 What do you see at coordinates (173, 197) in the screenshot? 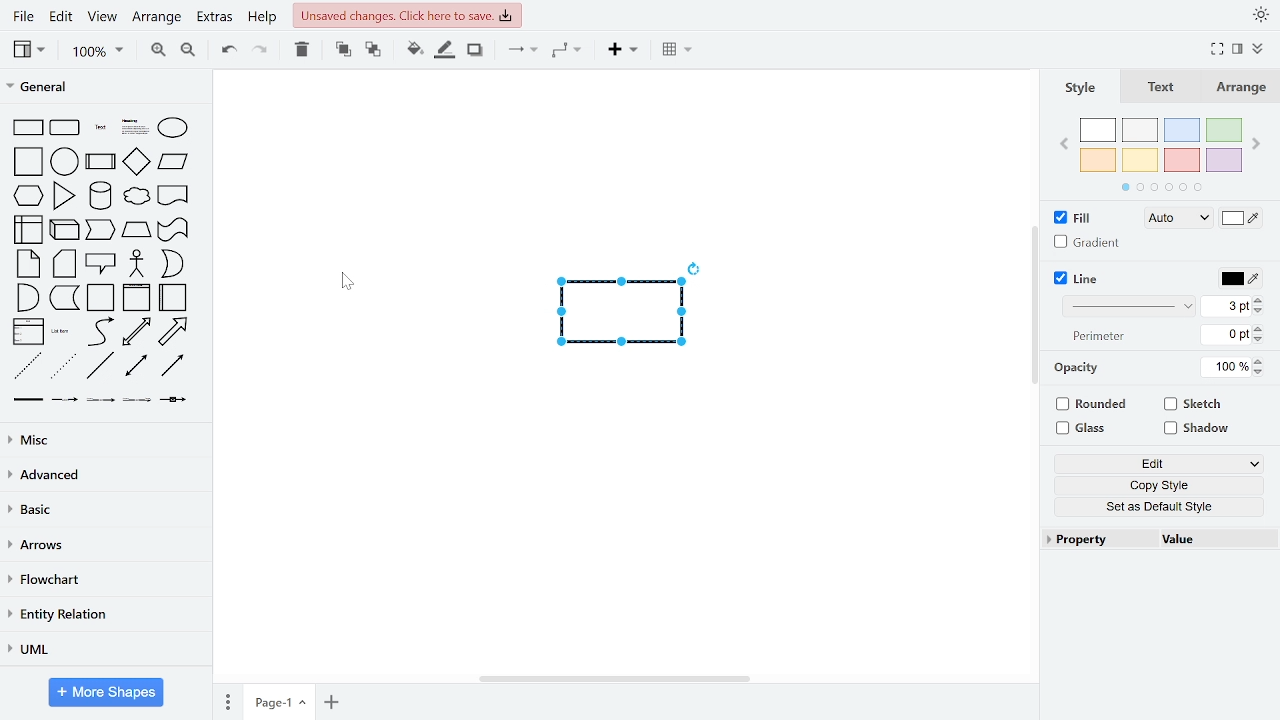
I see `general shapes` at bounding box center [173, 197].